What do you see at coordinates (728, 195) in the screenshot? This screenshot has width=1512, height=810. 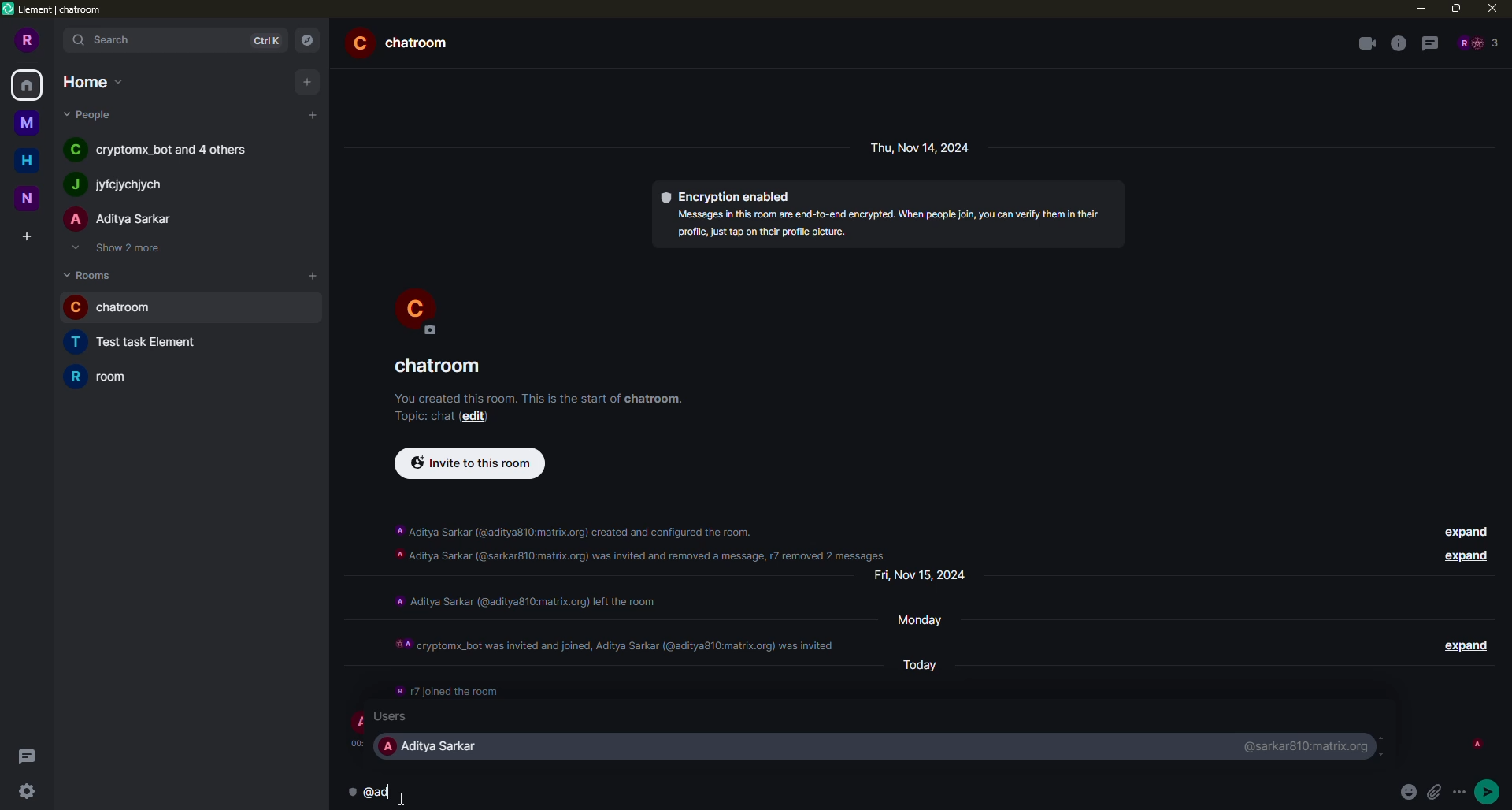 I see `encryption enabled` at bounding box center [728, 195].